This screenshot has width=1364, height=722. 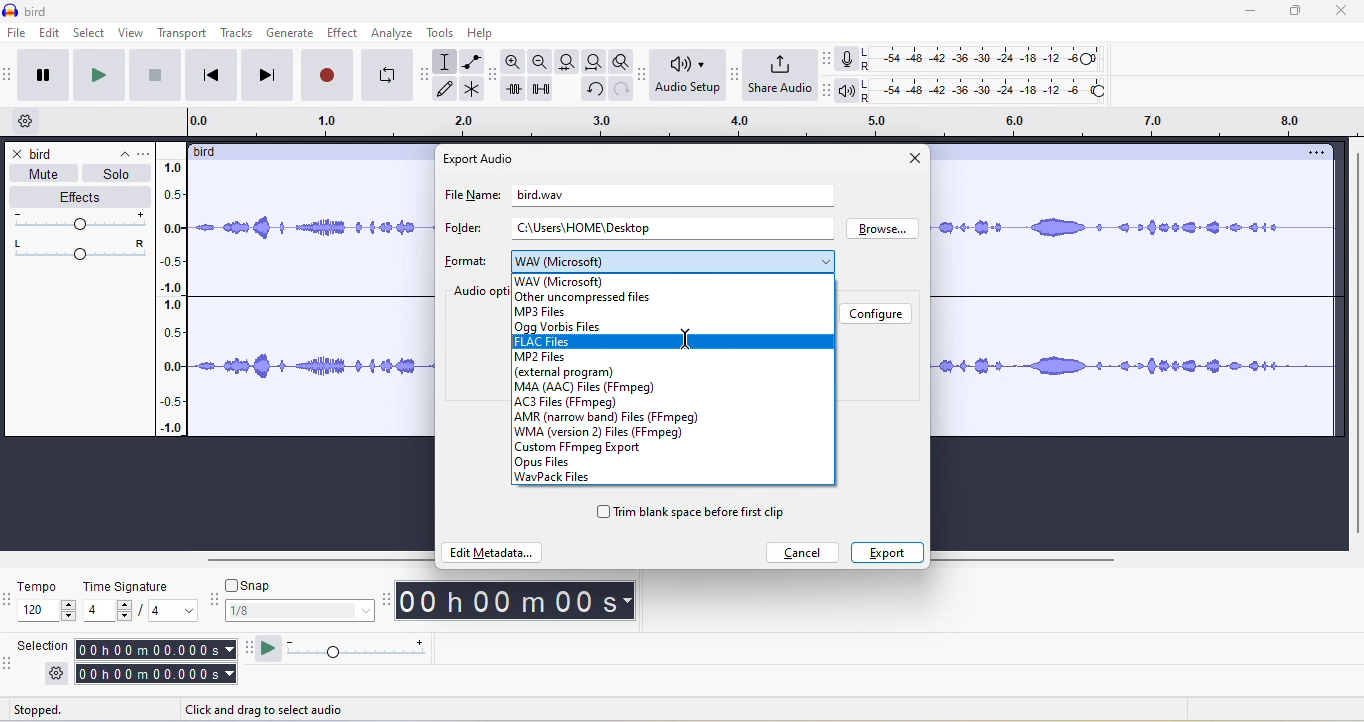 I want to click on maximize, so click(x=1299, y=13).